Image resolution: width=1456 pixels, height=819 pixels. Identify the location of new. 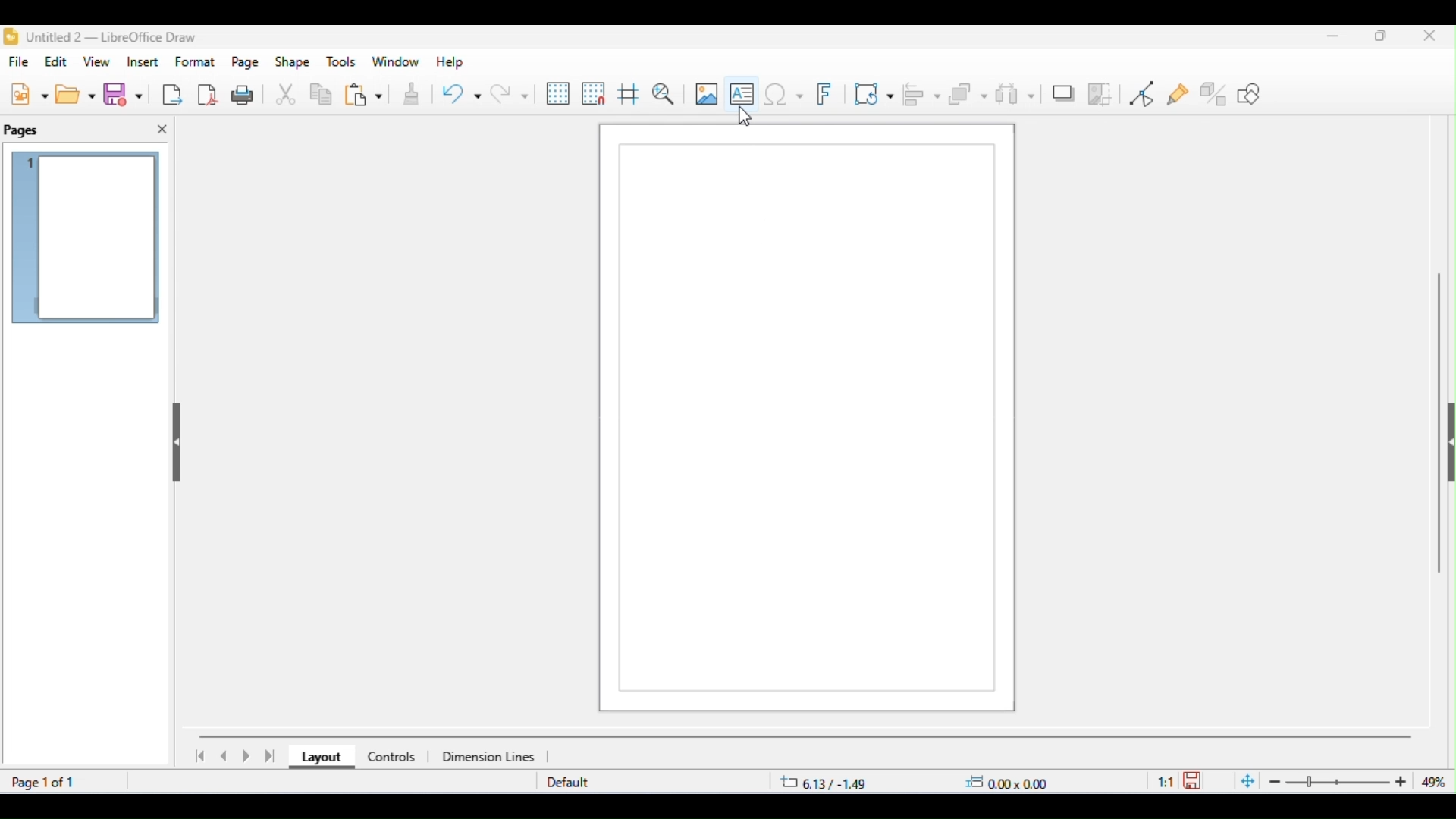
(29, 93).